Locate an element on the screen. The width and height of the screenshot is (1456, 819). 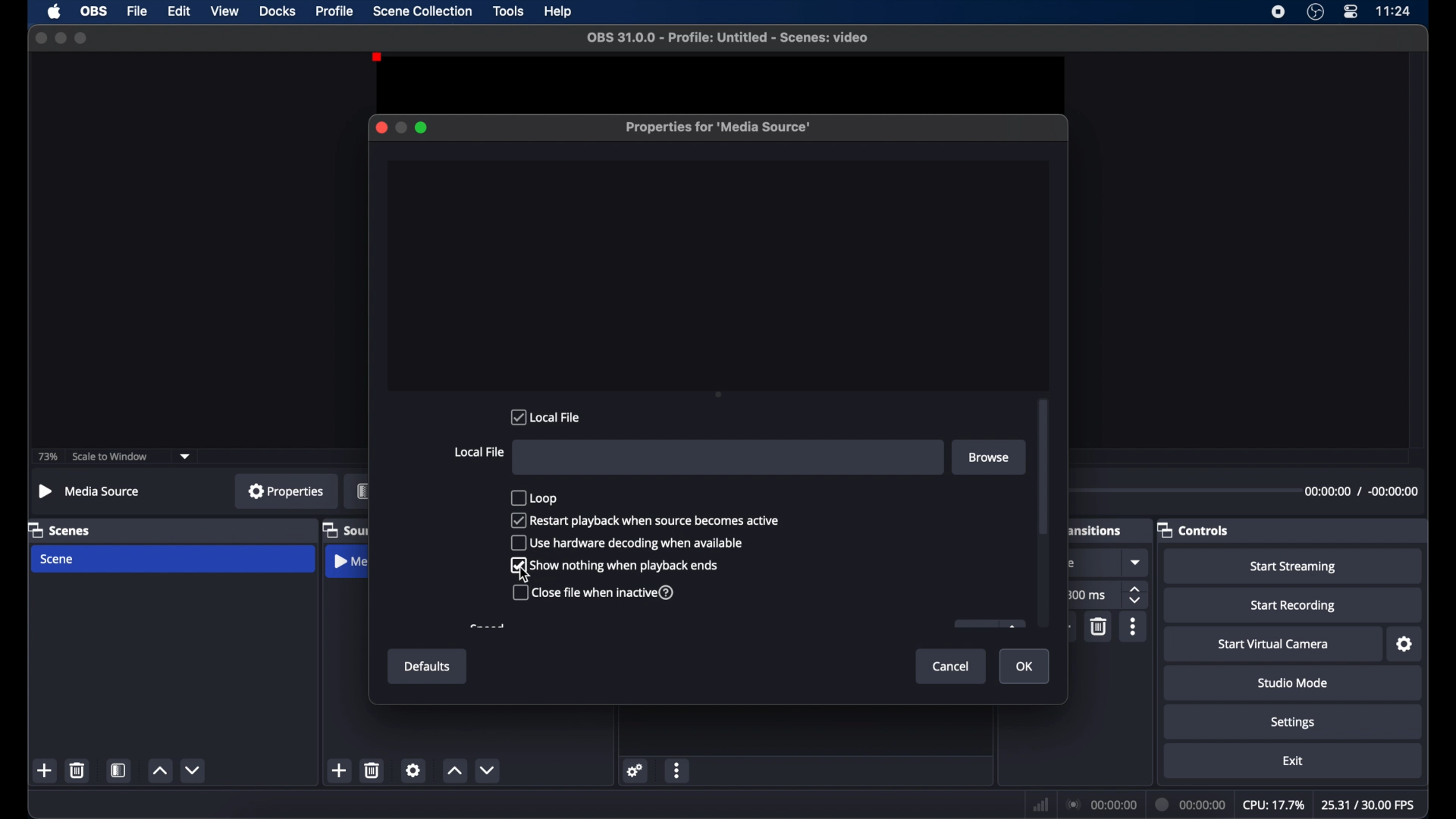
control center is located at coordinates (1350, 12).